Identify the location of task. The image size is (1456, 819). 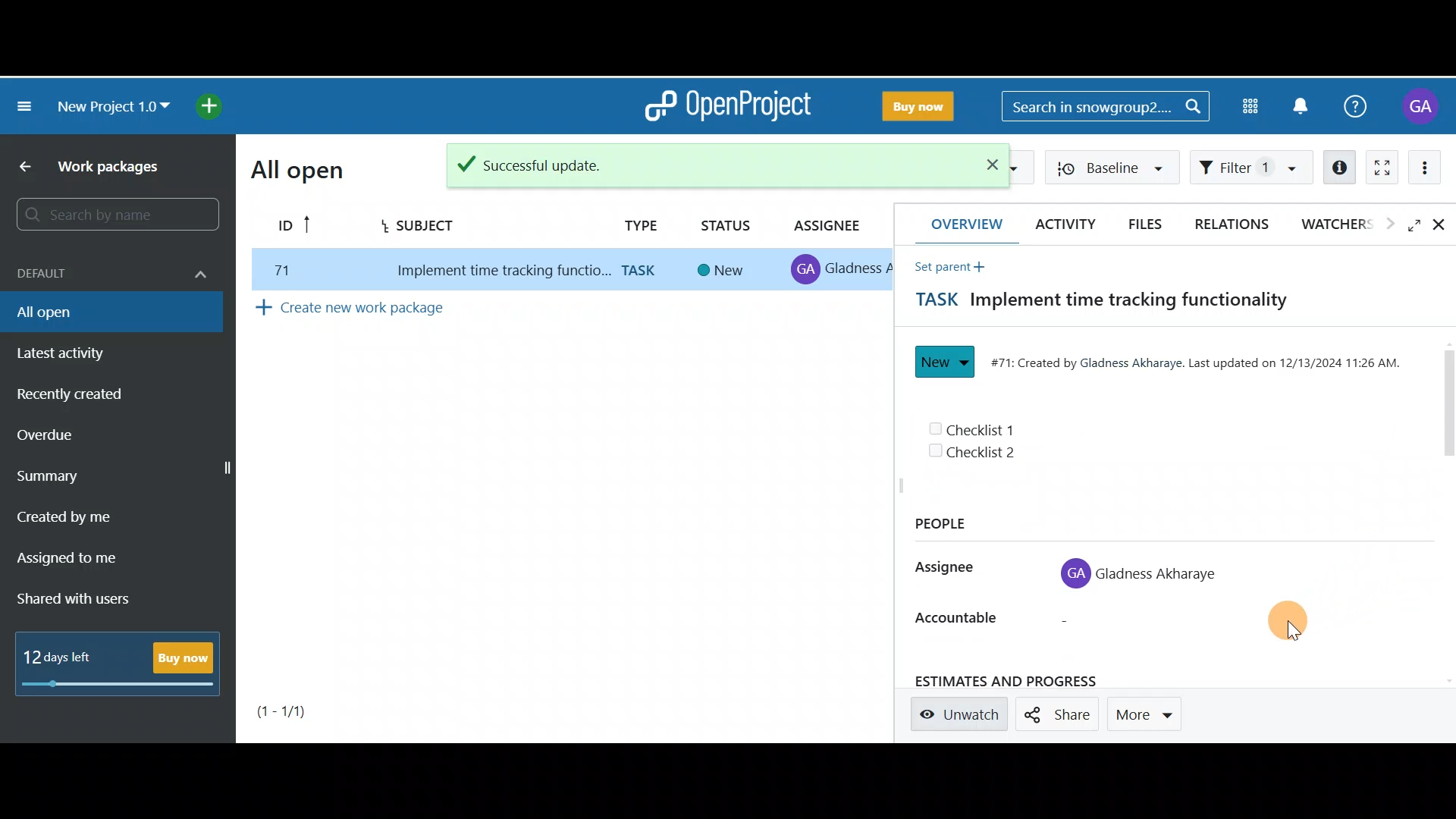
(643, 271).